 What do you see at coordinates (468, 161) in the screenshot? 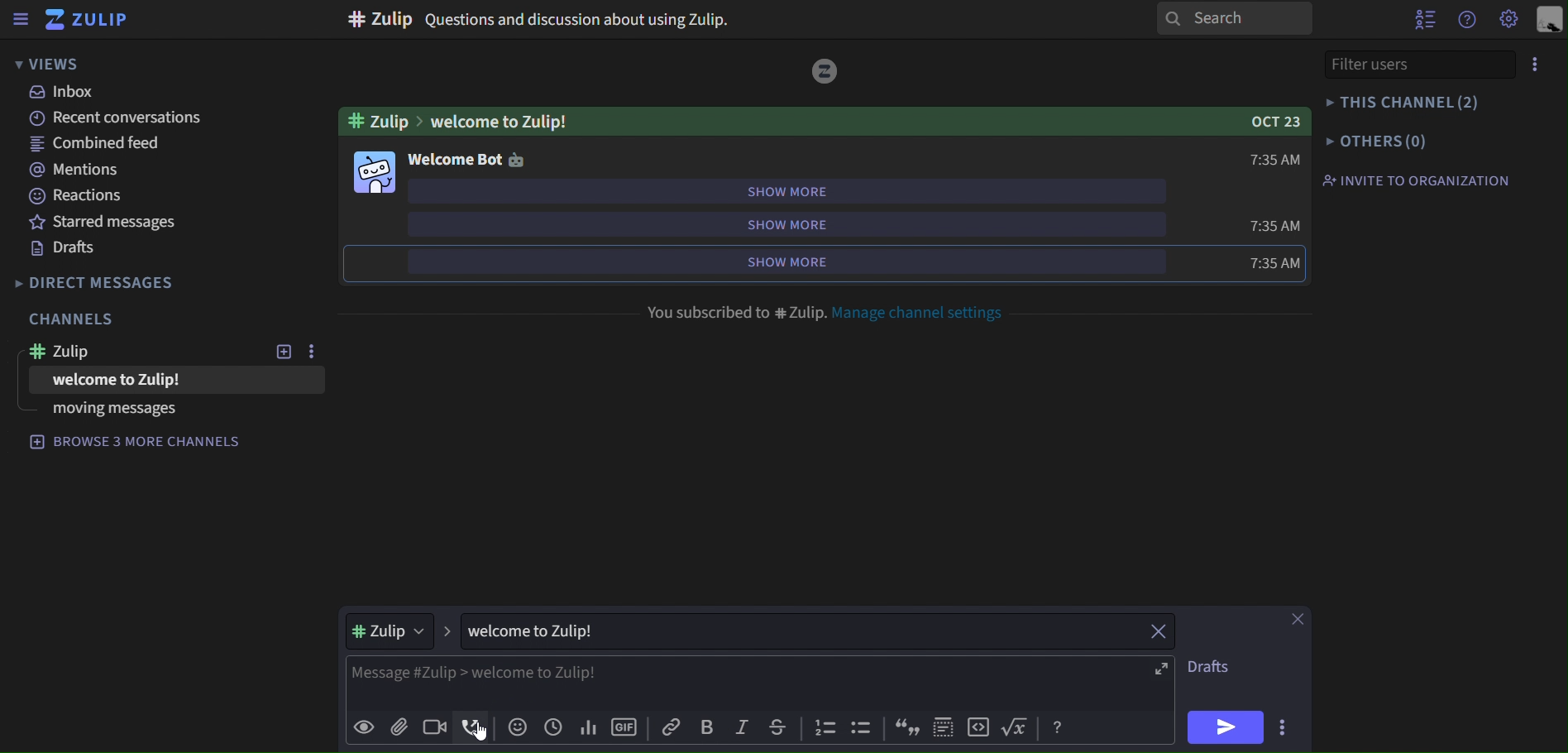
I see `welcome bot` at bounding box center [468, 161].